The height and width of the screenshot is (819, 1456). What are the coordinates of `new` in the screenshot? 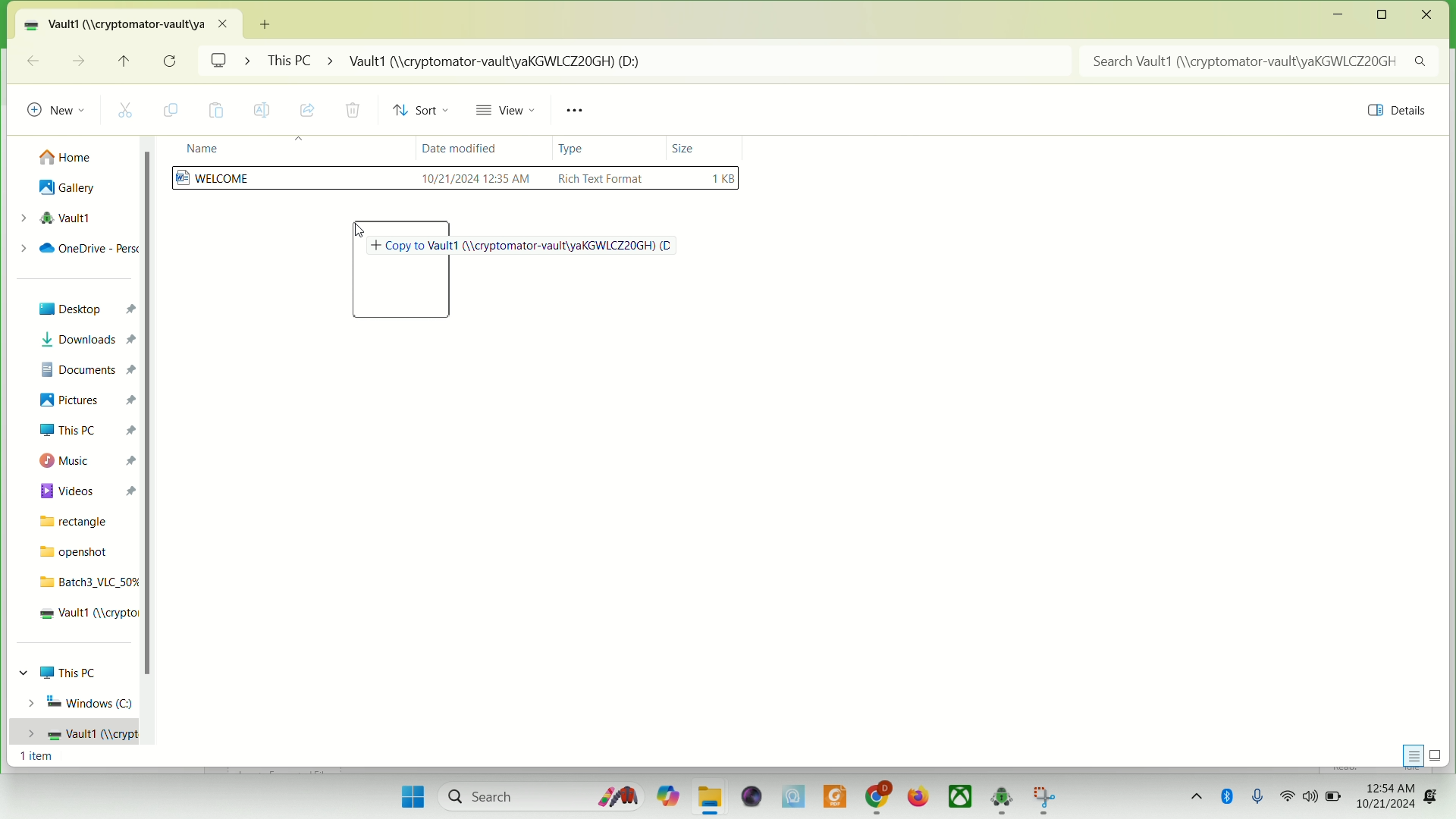 It's located at (56, 106).